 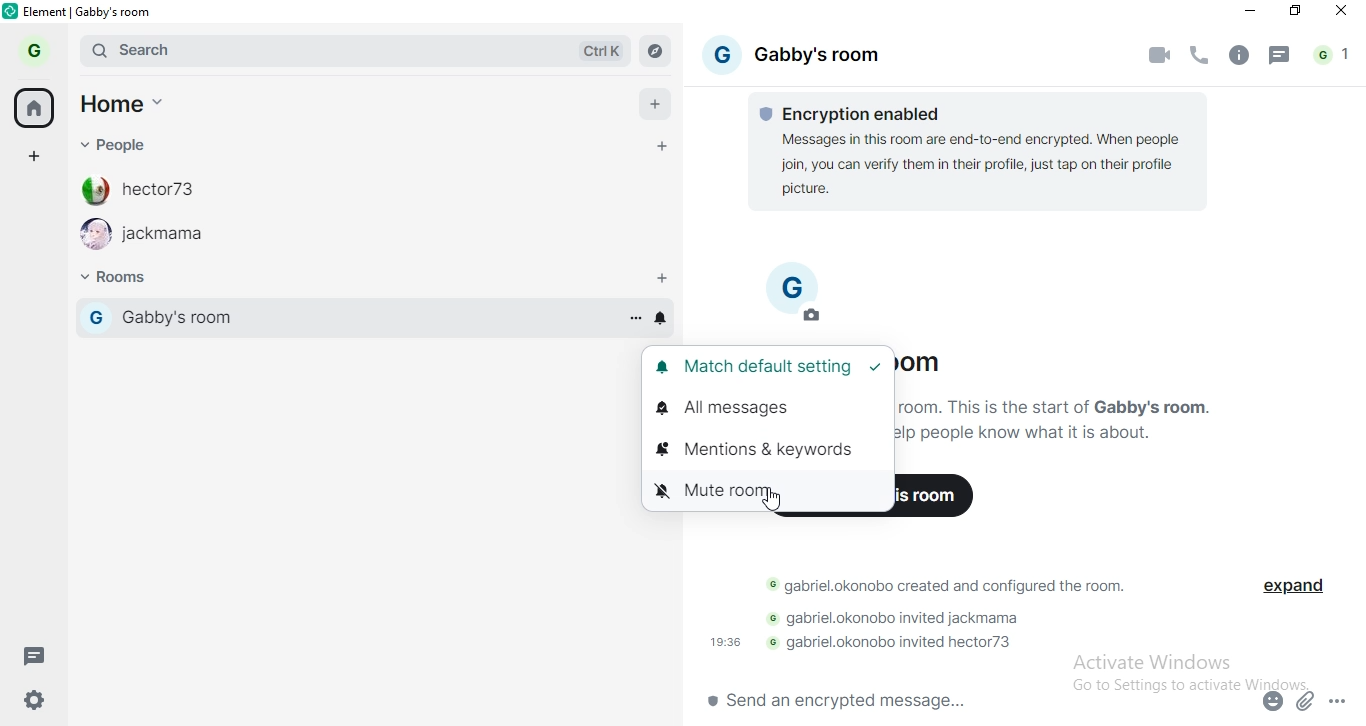 I want to click on profile, so click(x=721, y=56).